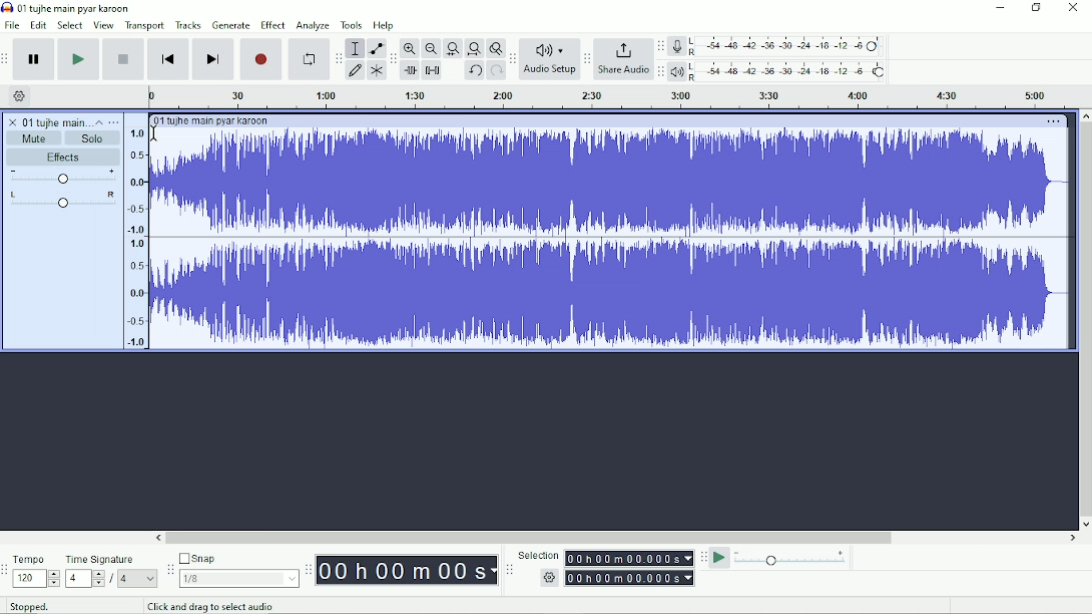 The image size is (1092, 614). Describe the element at coordinates (101, 560) in the screenshot. I see `Time Signature` at that location.